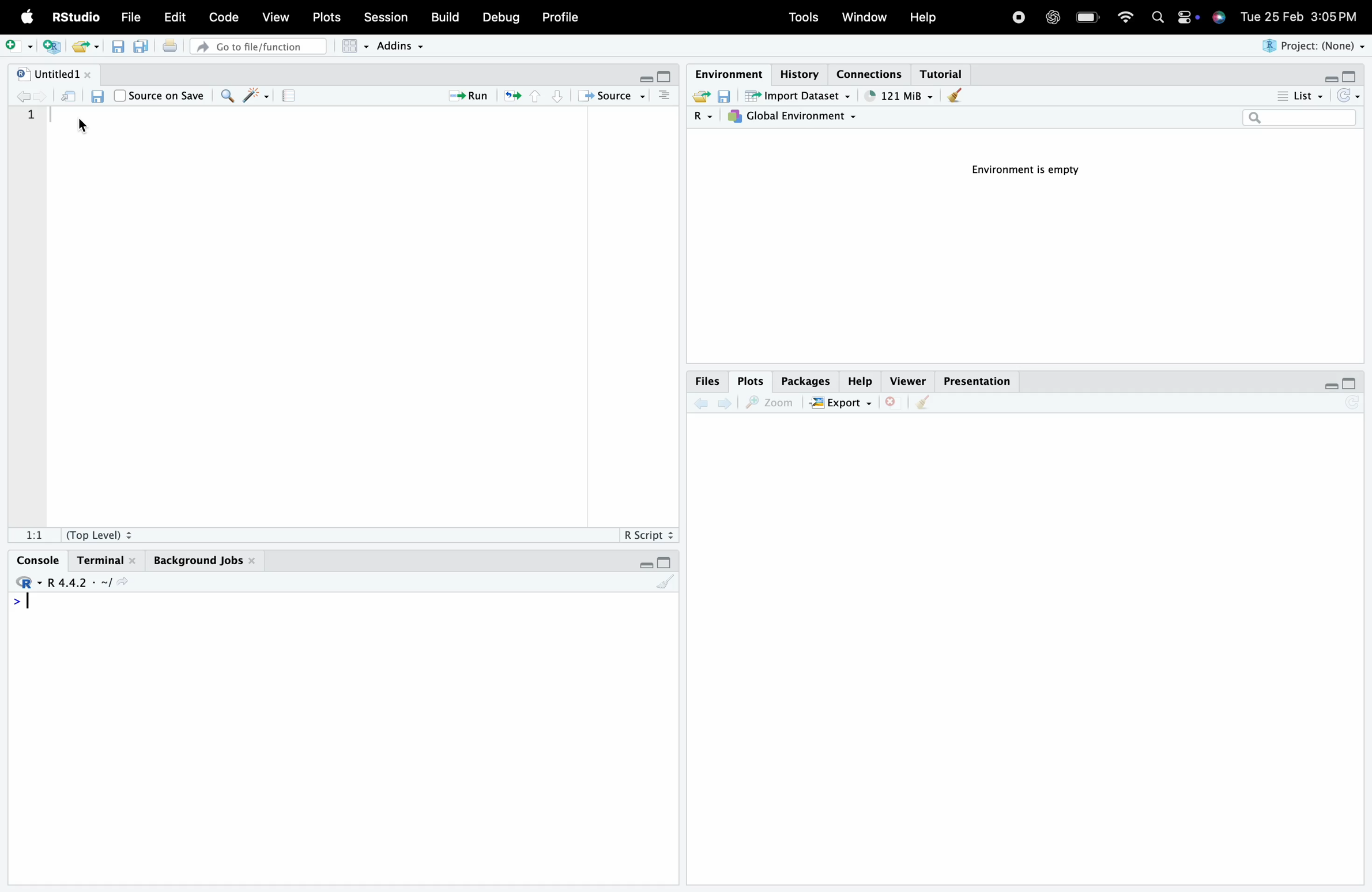  Describe the element at coordinates (1018, 18) in the screenshot. I see `Recording` at that location.